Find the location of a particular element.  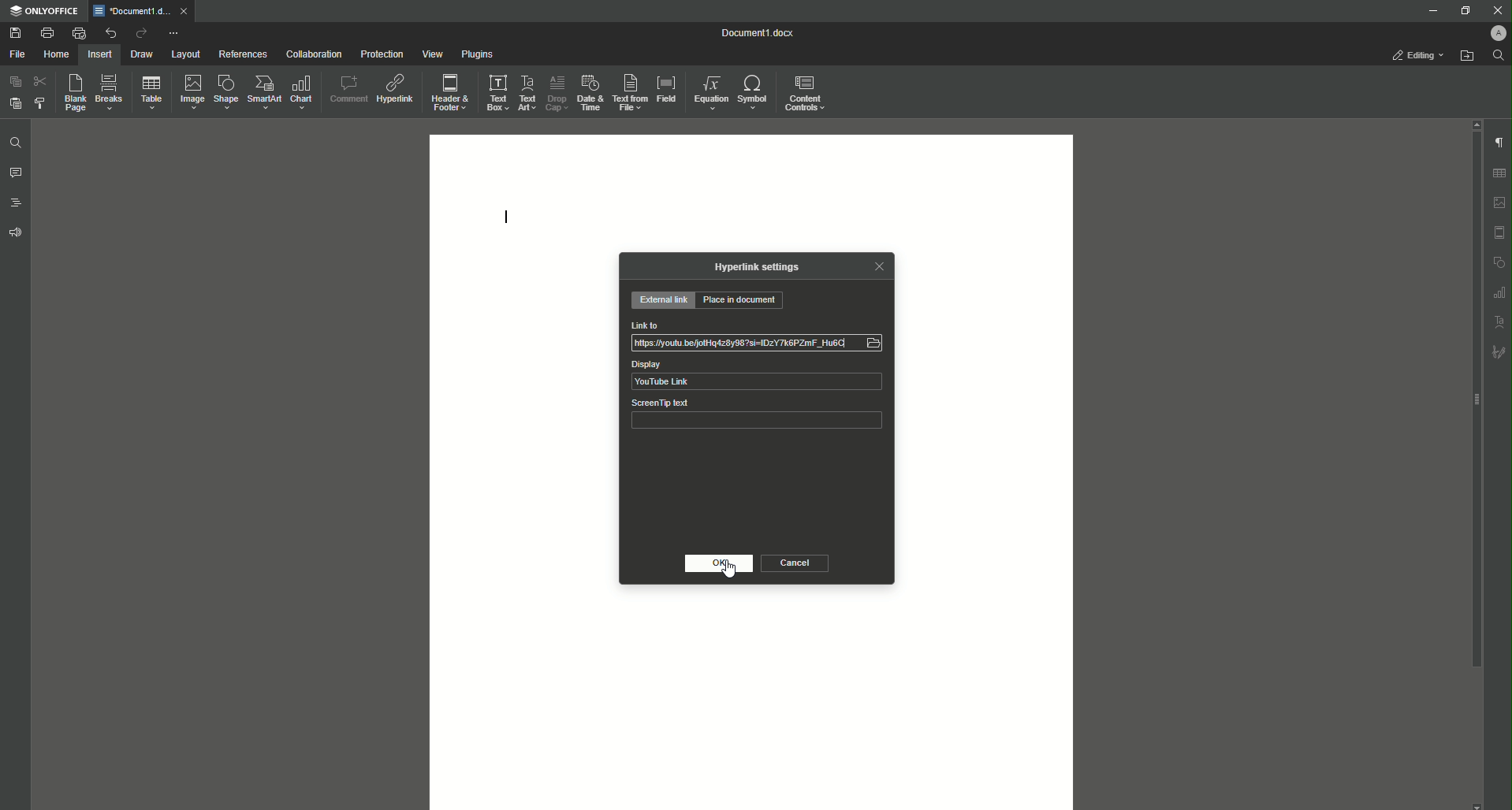

Print is located at coordinates (47, 32).